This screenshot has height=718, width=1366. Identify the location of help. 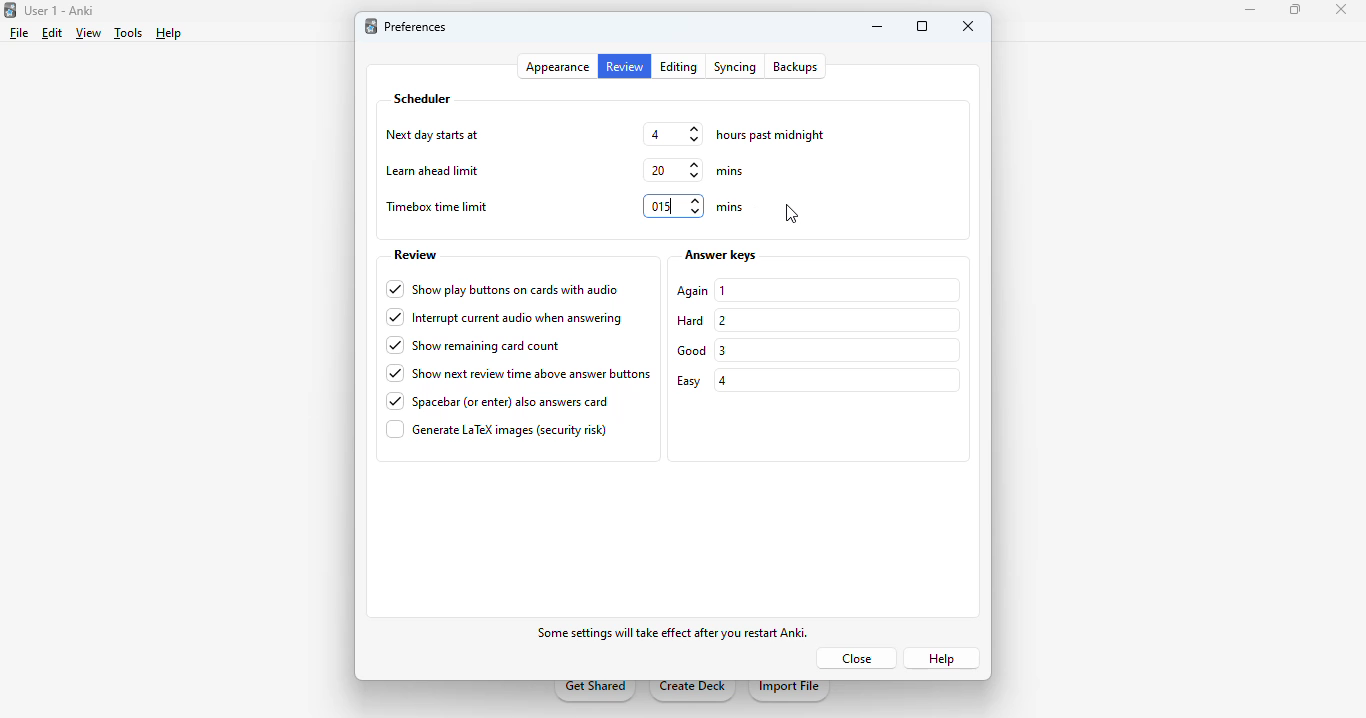
(939, 657).